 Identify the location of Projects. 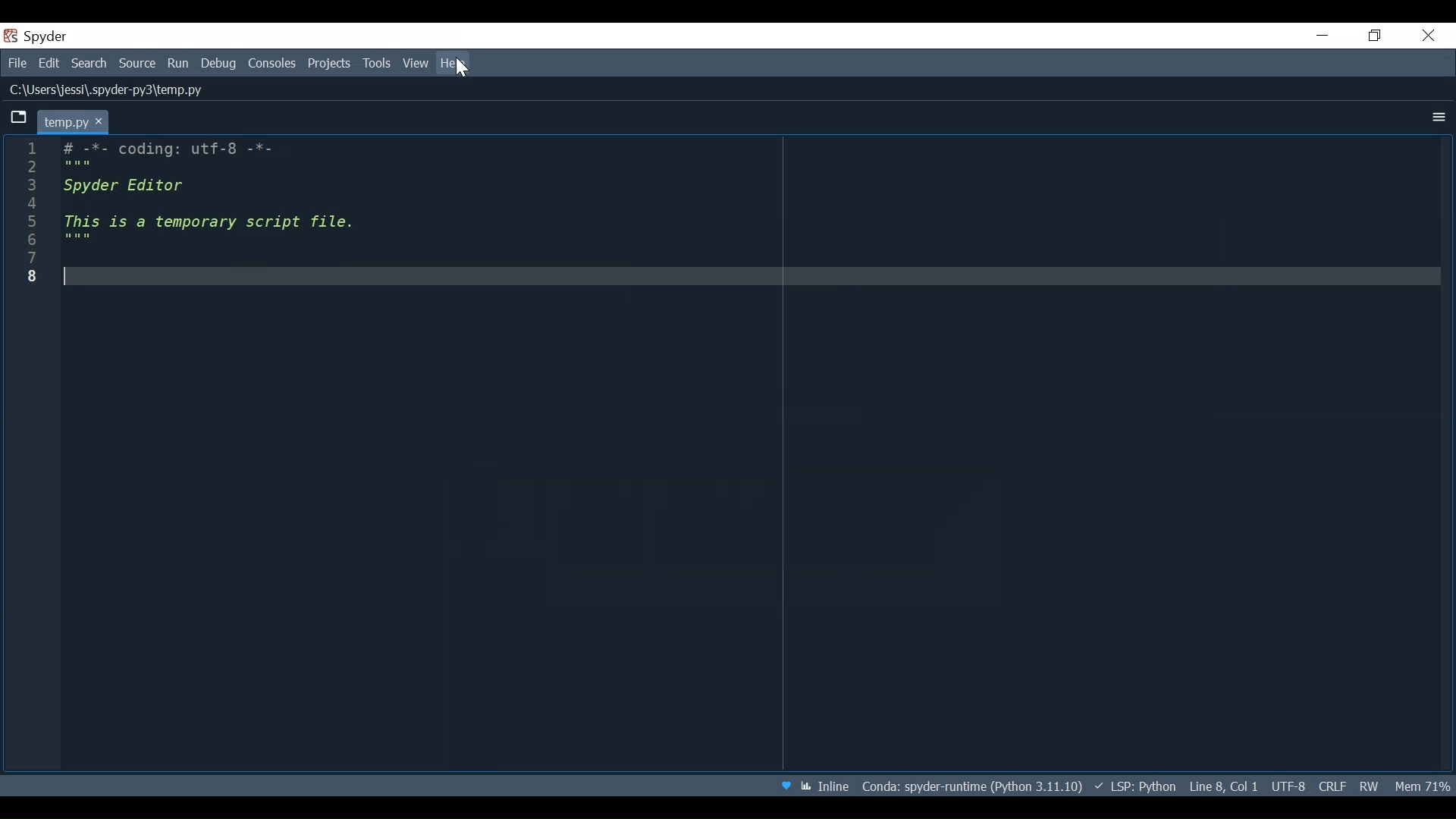
(330, 65).